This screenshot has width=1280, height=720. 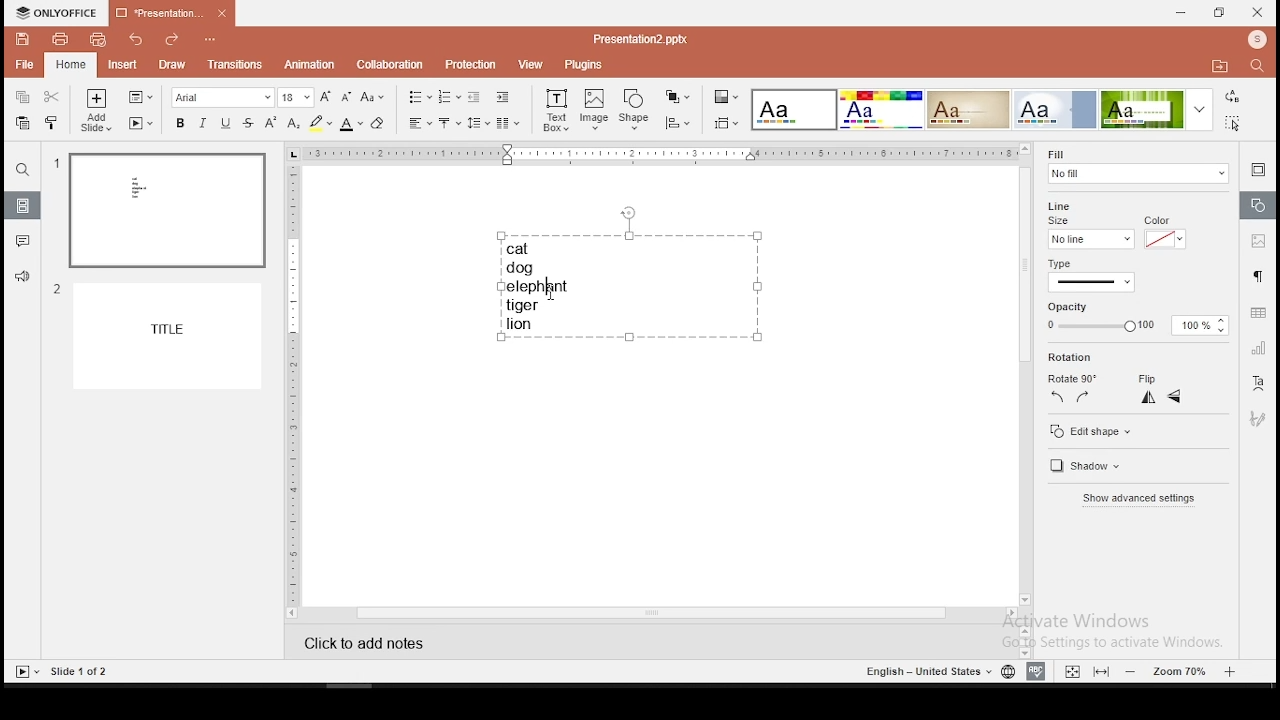 I want to click on columns, so click(x=506, y=122).